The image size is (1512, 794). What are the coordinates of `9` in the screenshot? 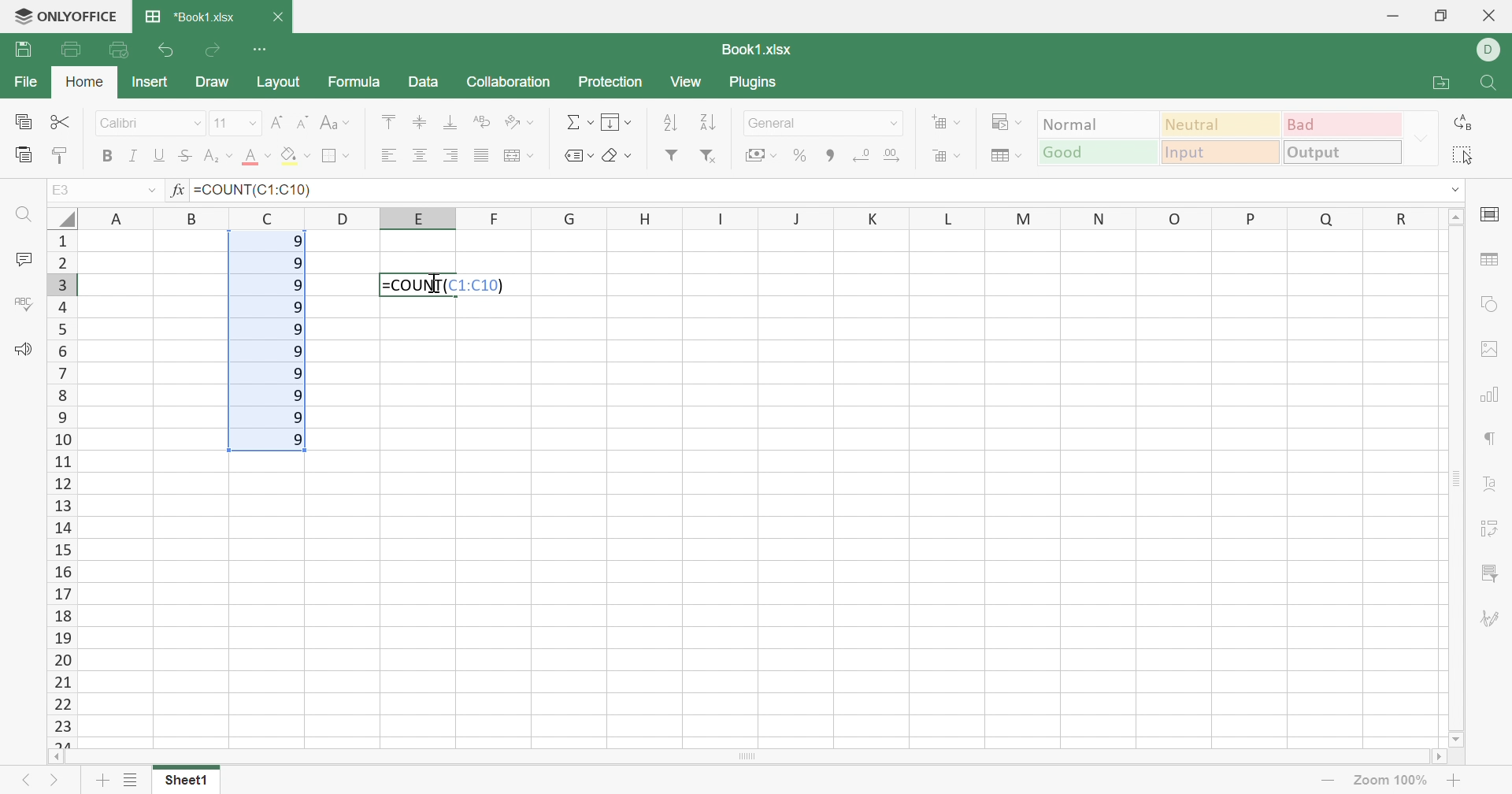 It's located at (298, 351).